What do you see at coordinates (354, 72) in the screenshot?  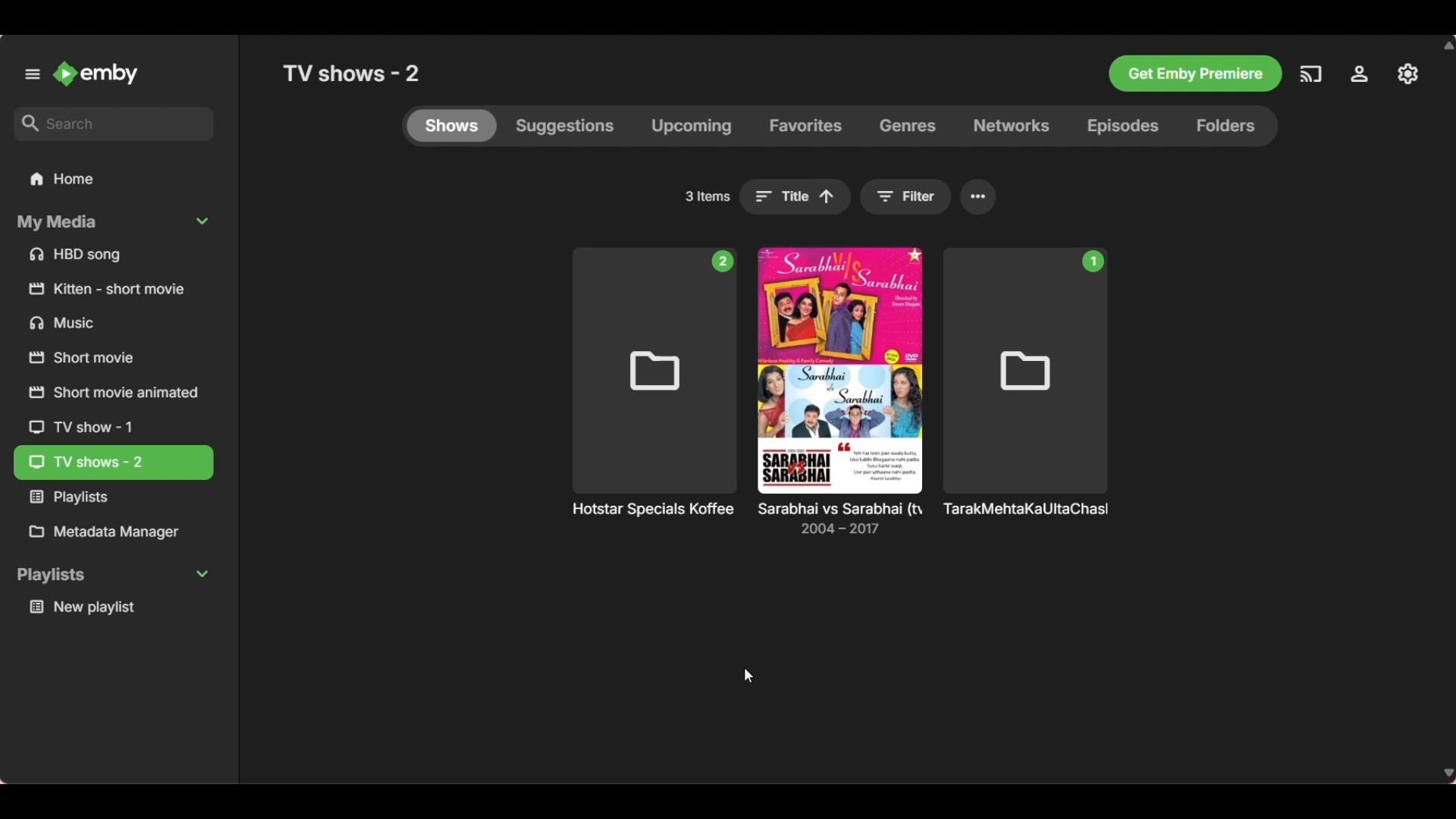 I see `Title of current selection` at bounding box center [354, 72].